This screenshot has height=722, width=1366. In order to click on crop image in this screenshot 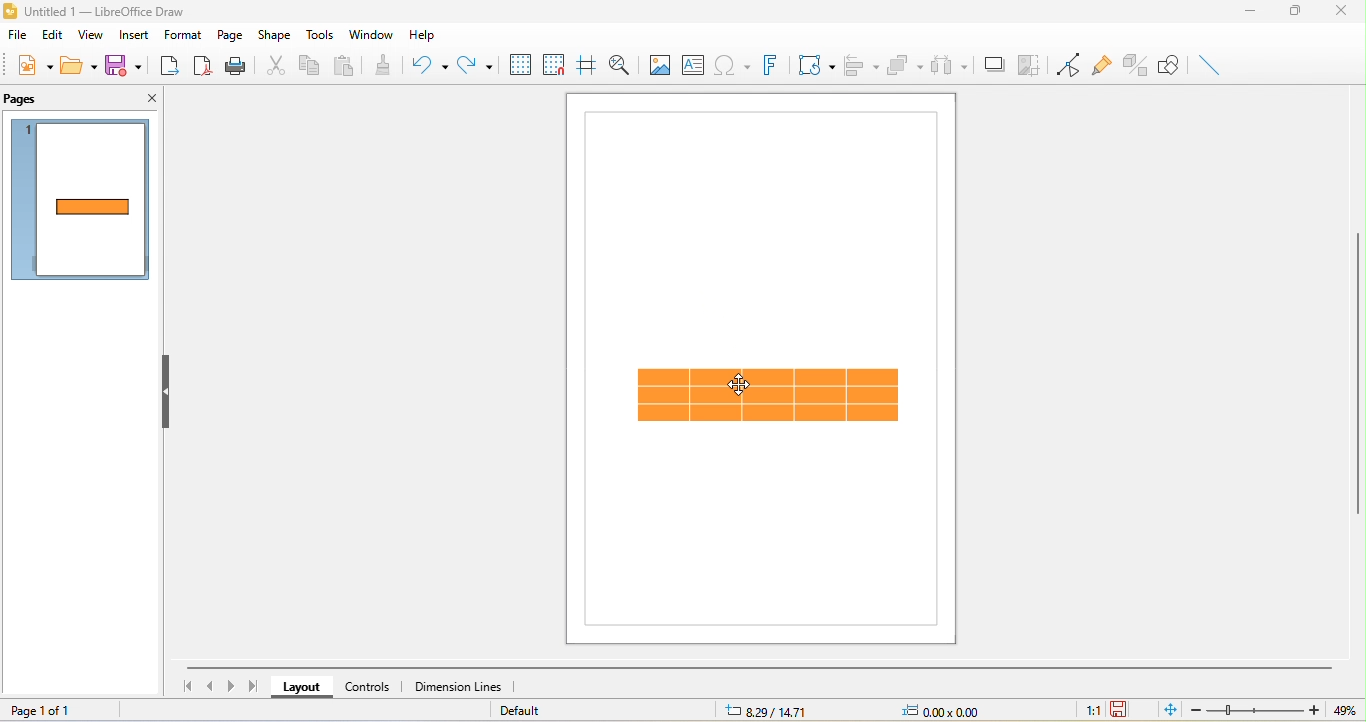, I will do `click(1032, 65)`.